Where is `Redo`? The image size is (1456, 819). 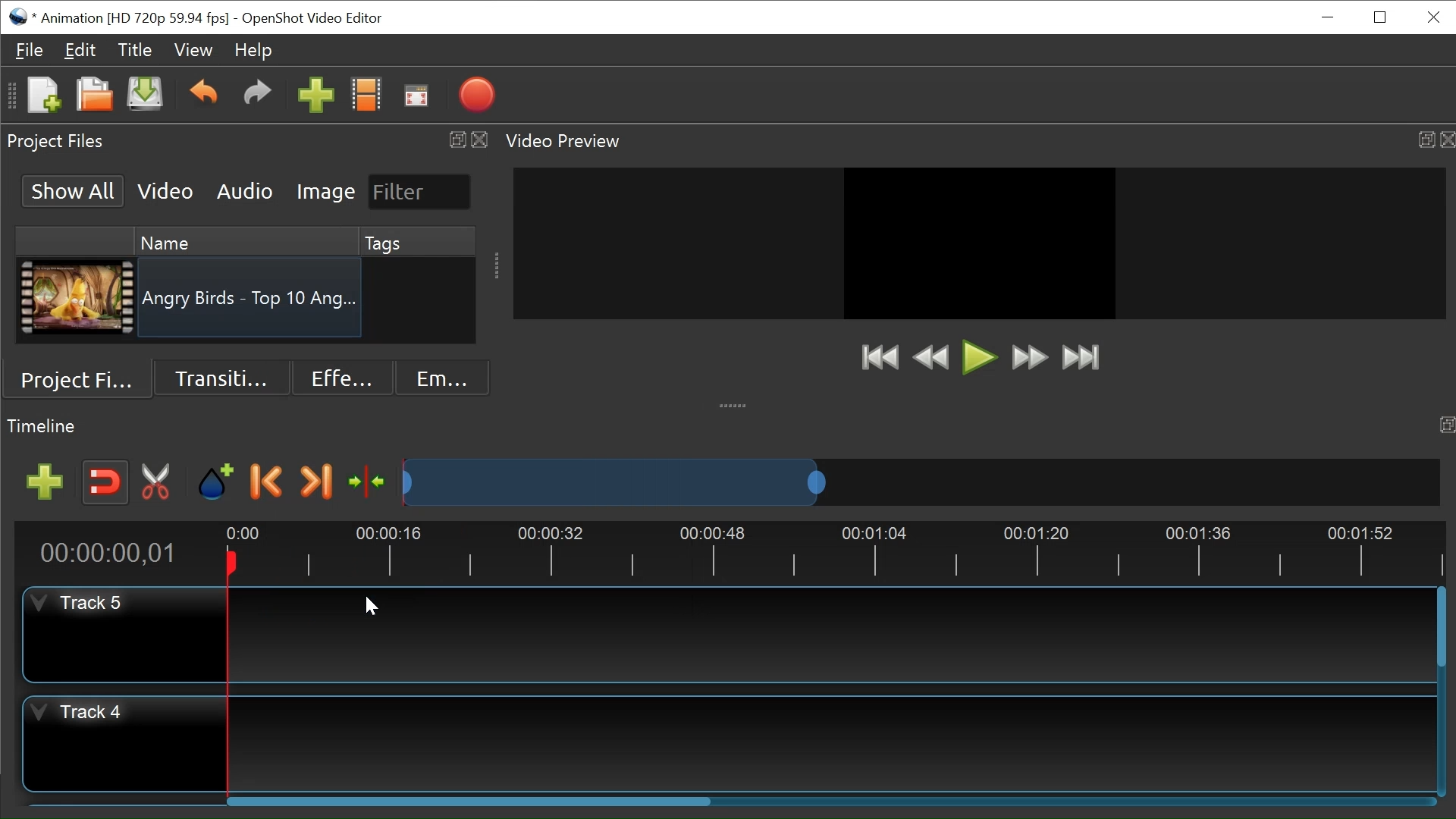
Redo is located at coordinates (257, 97).